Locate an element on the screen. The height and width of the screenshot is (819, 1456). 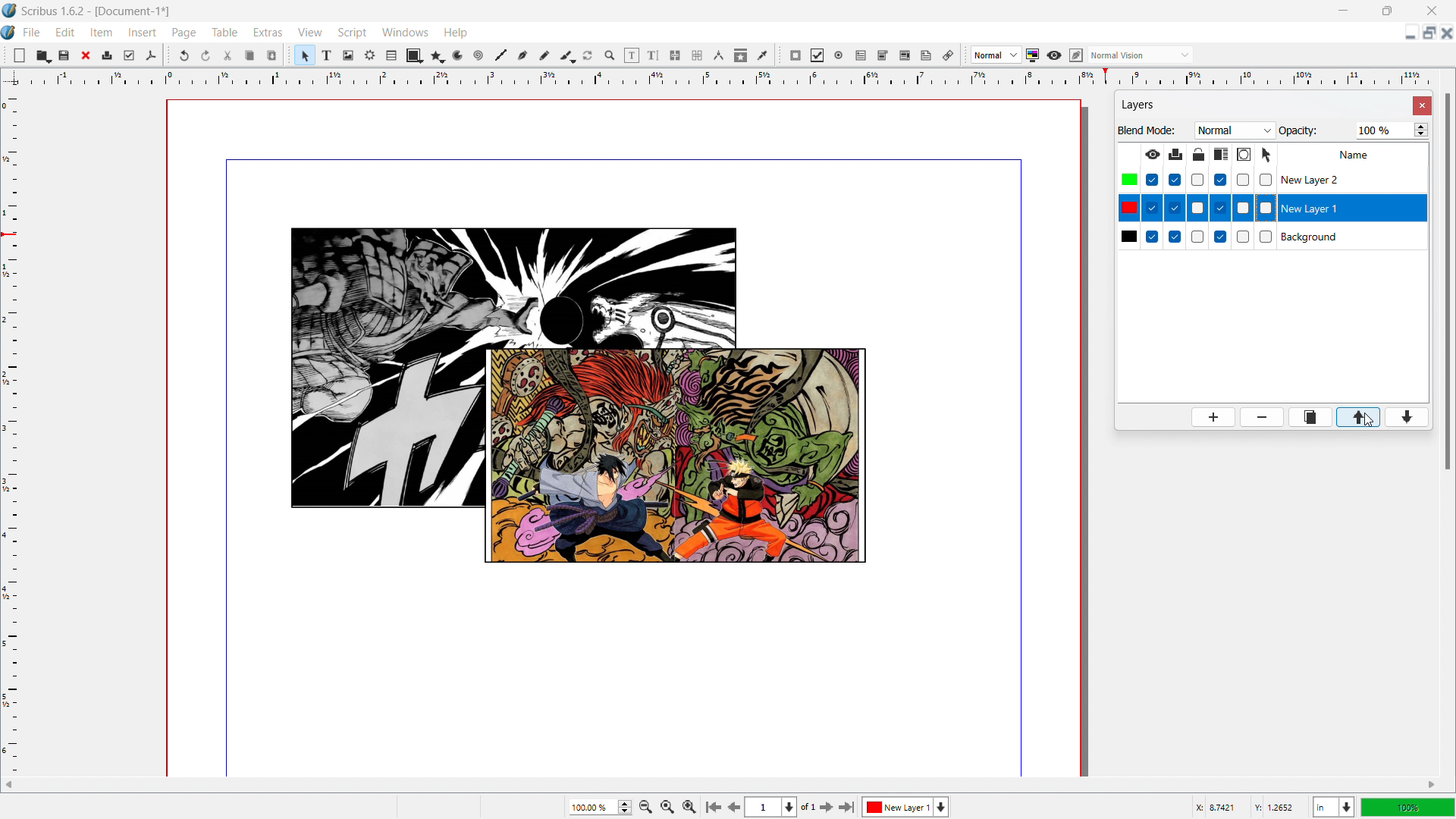
print layer is located at coordinates (1175, 155).